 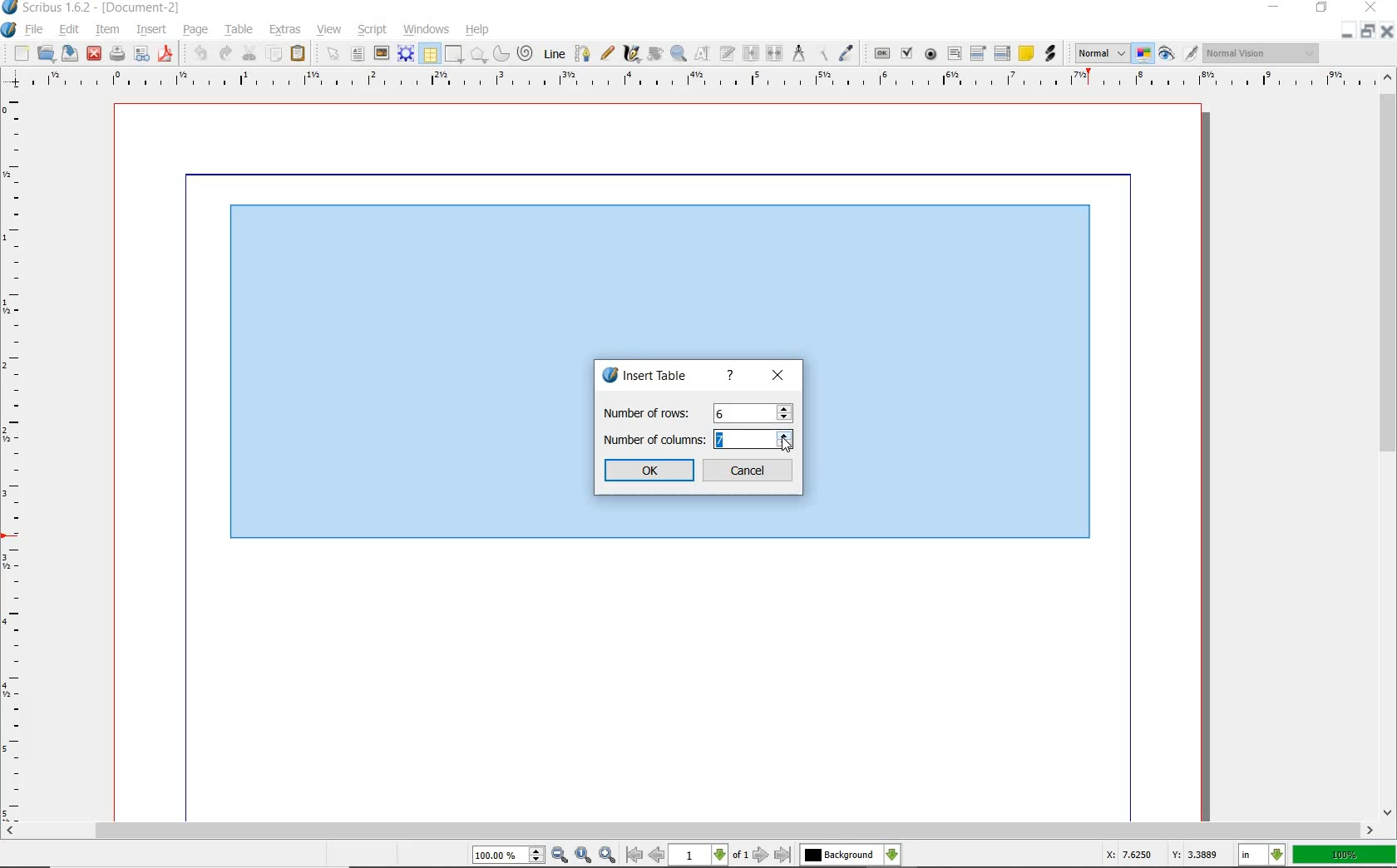 What do you see at coordinates (846, 52) in the screenshot?
I see `eye dropper` at bounding box center [846, 52].